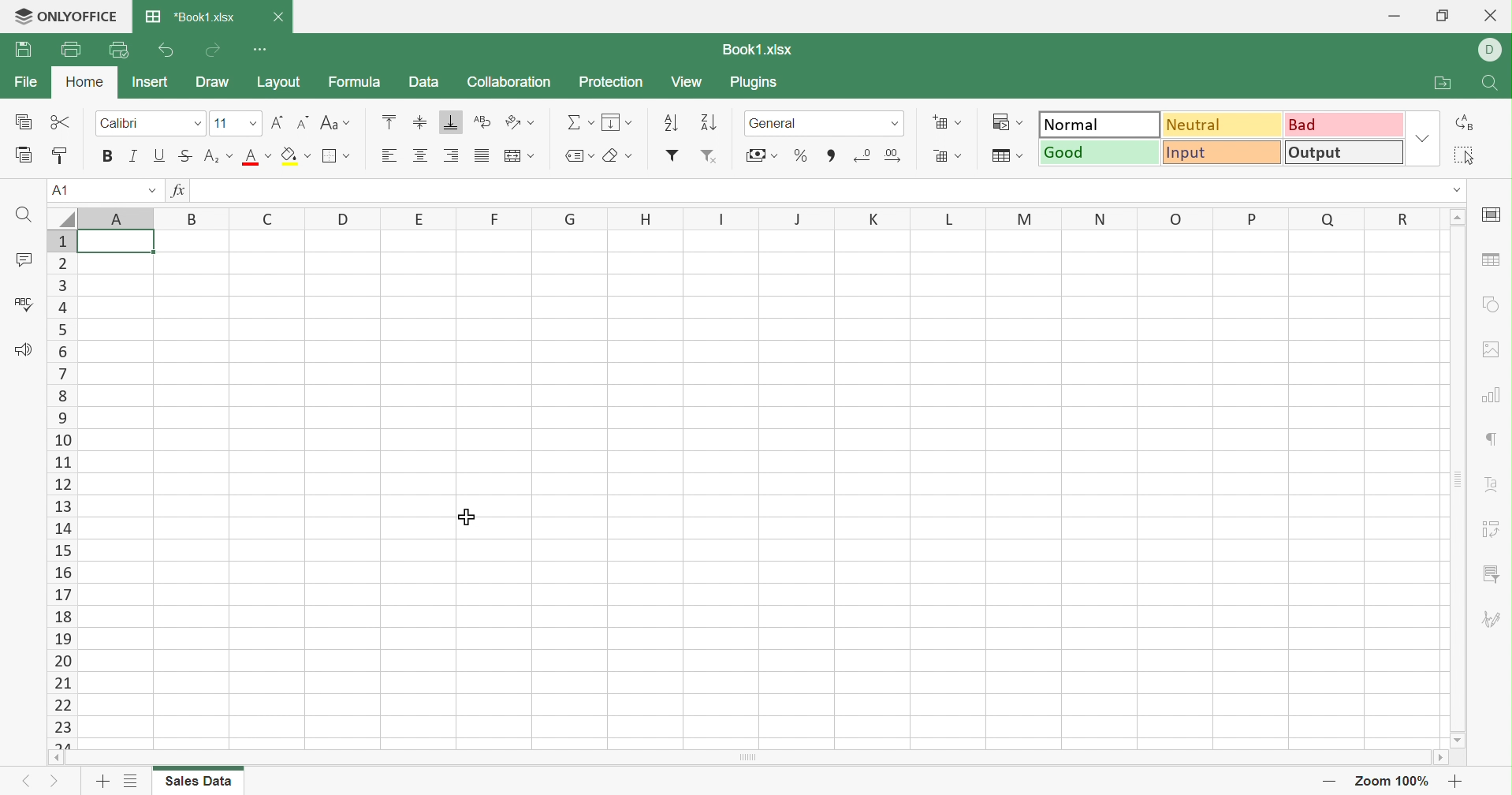 This screenshot has height=795, width=1512. Describe the element at coordinates (864, 155) in the screenshot. I see `Decrease decimal` at that location.